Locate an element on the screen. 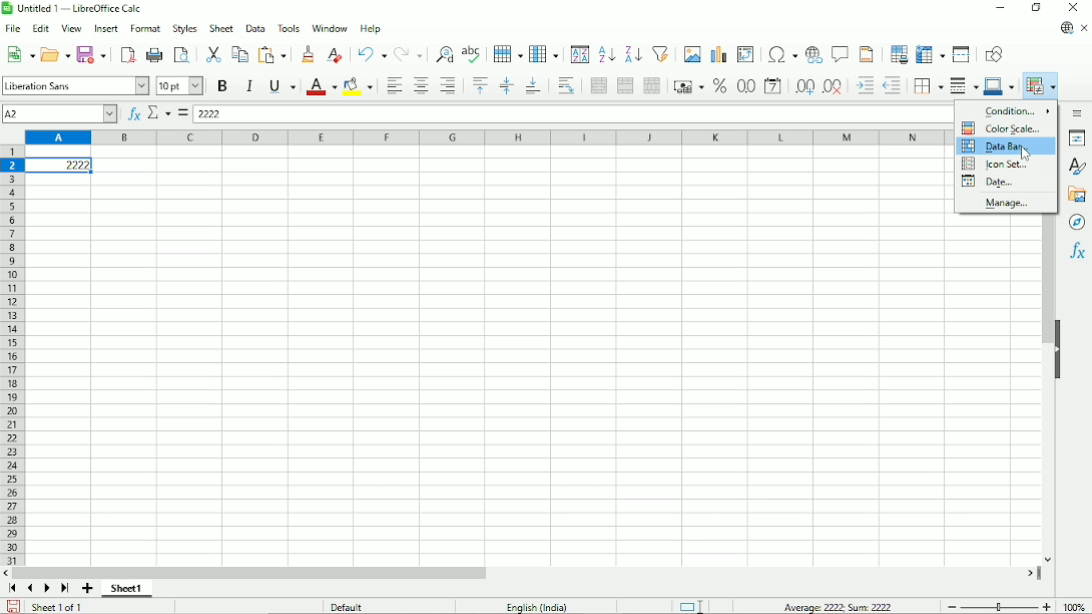 This screenshot has height=614, width=1092. Data is located at coordinates (255, 28).